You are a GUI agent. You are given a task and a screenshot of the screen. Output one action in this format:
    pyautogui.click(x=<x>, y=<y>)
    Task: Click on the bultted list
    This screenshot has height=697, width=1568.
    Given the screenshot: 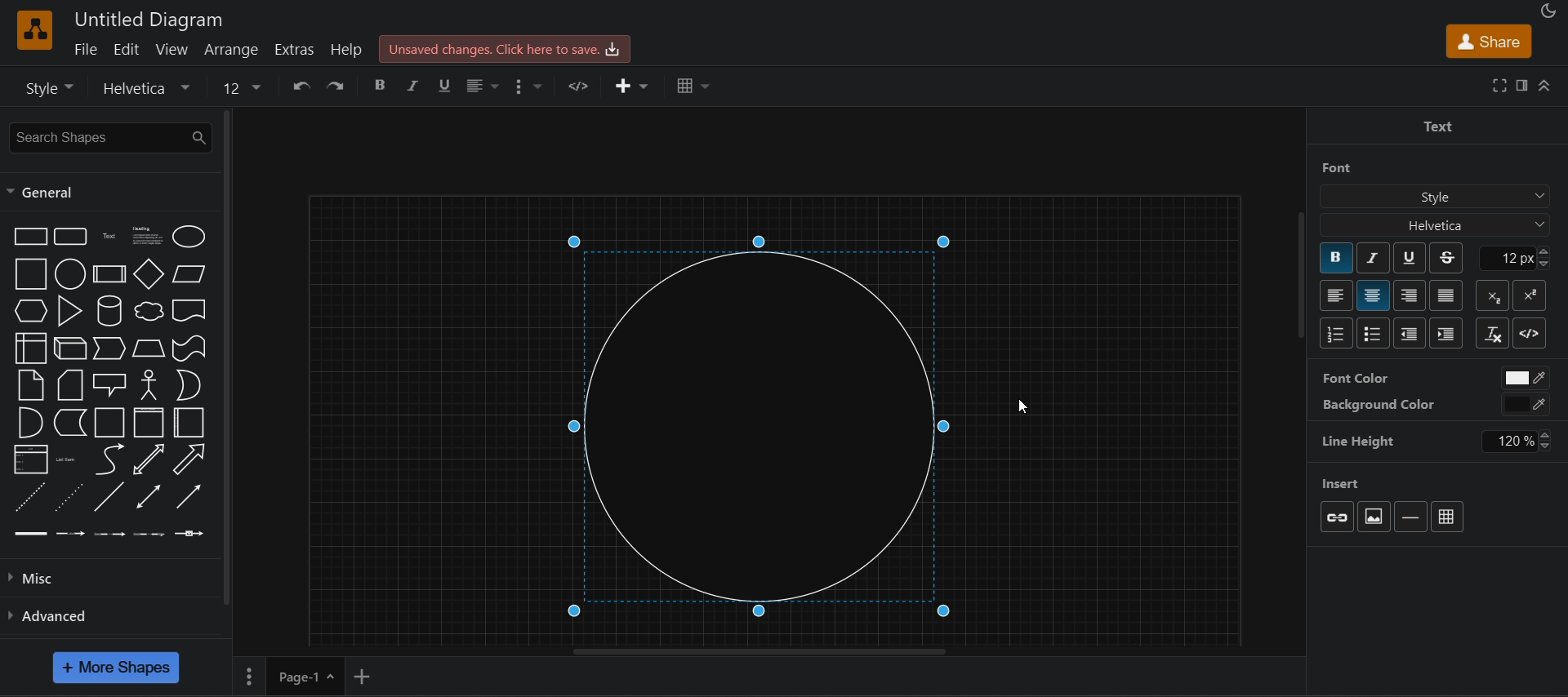 What is the action you would take?
    pyautogui.click(x=1372, y=333)
    